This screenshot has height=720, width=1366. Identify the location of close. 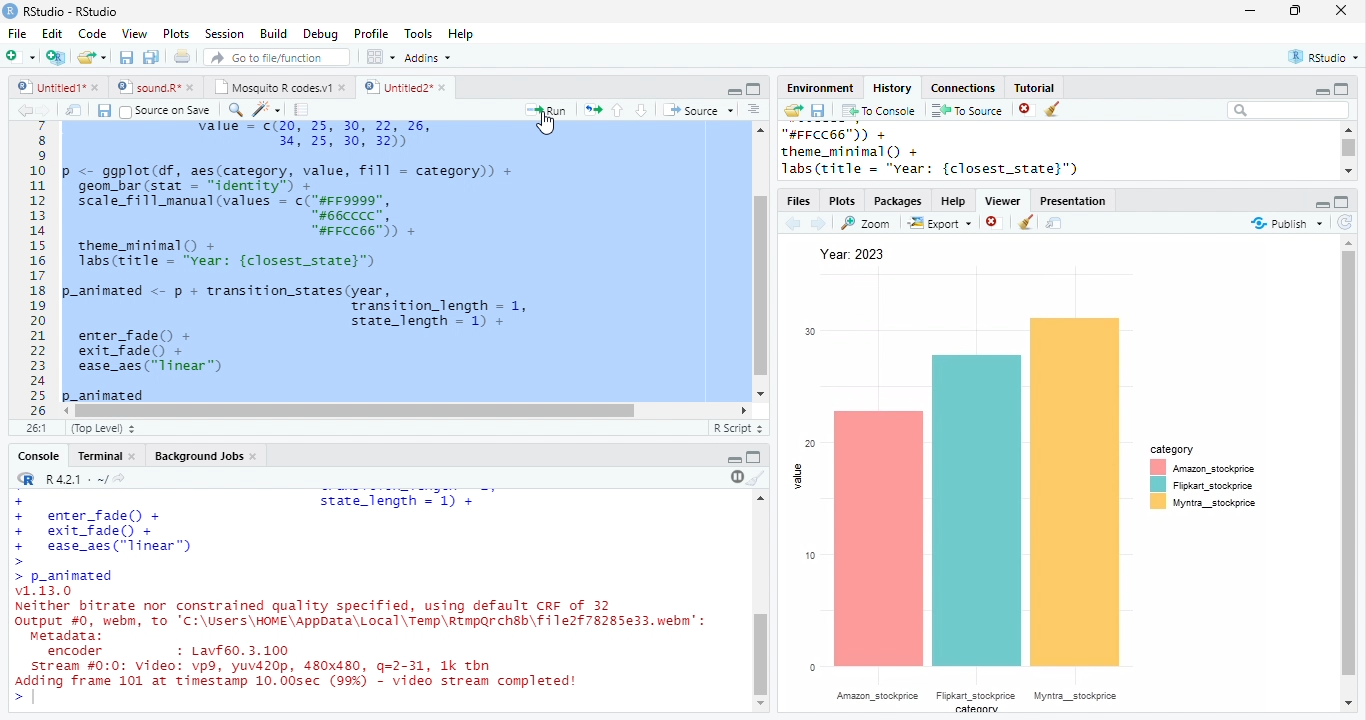
(98, 89).